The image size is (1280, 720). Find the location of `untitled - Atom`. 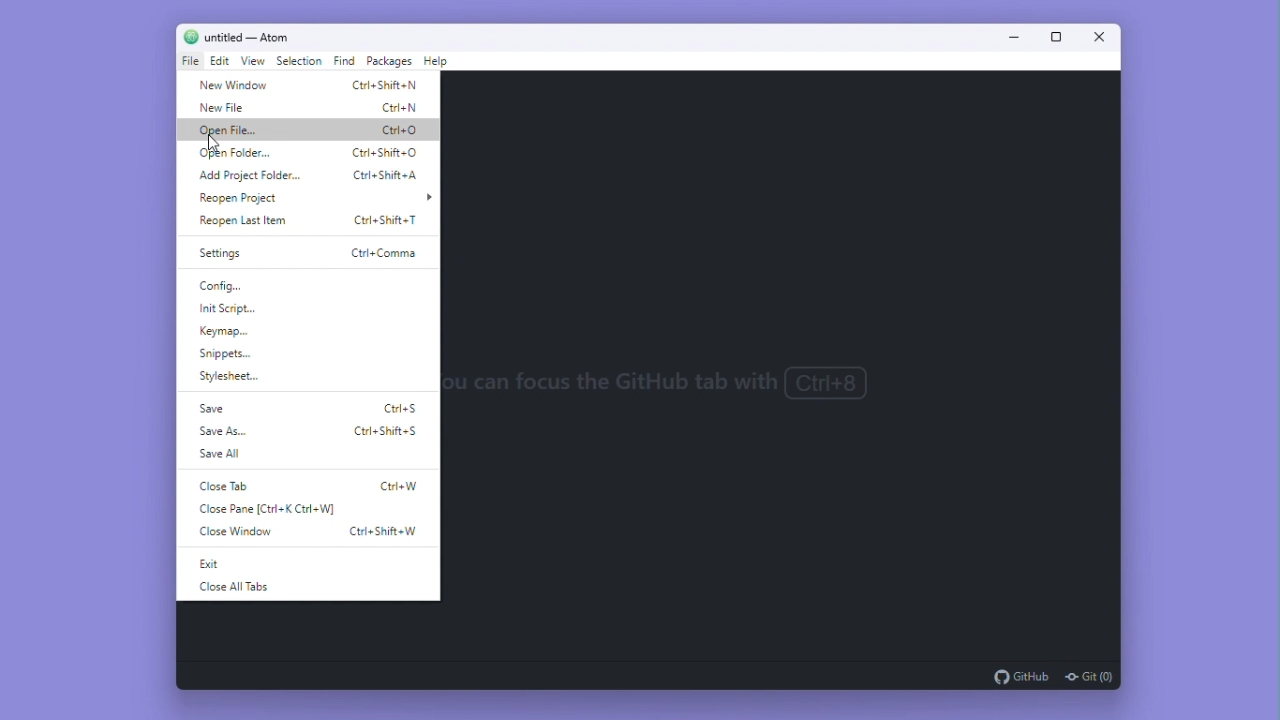

untitled - Atom is located at coordinates (256, 36).